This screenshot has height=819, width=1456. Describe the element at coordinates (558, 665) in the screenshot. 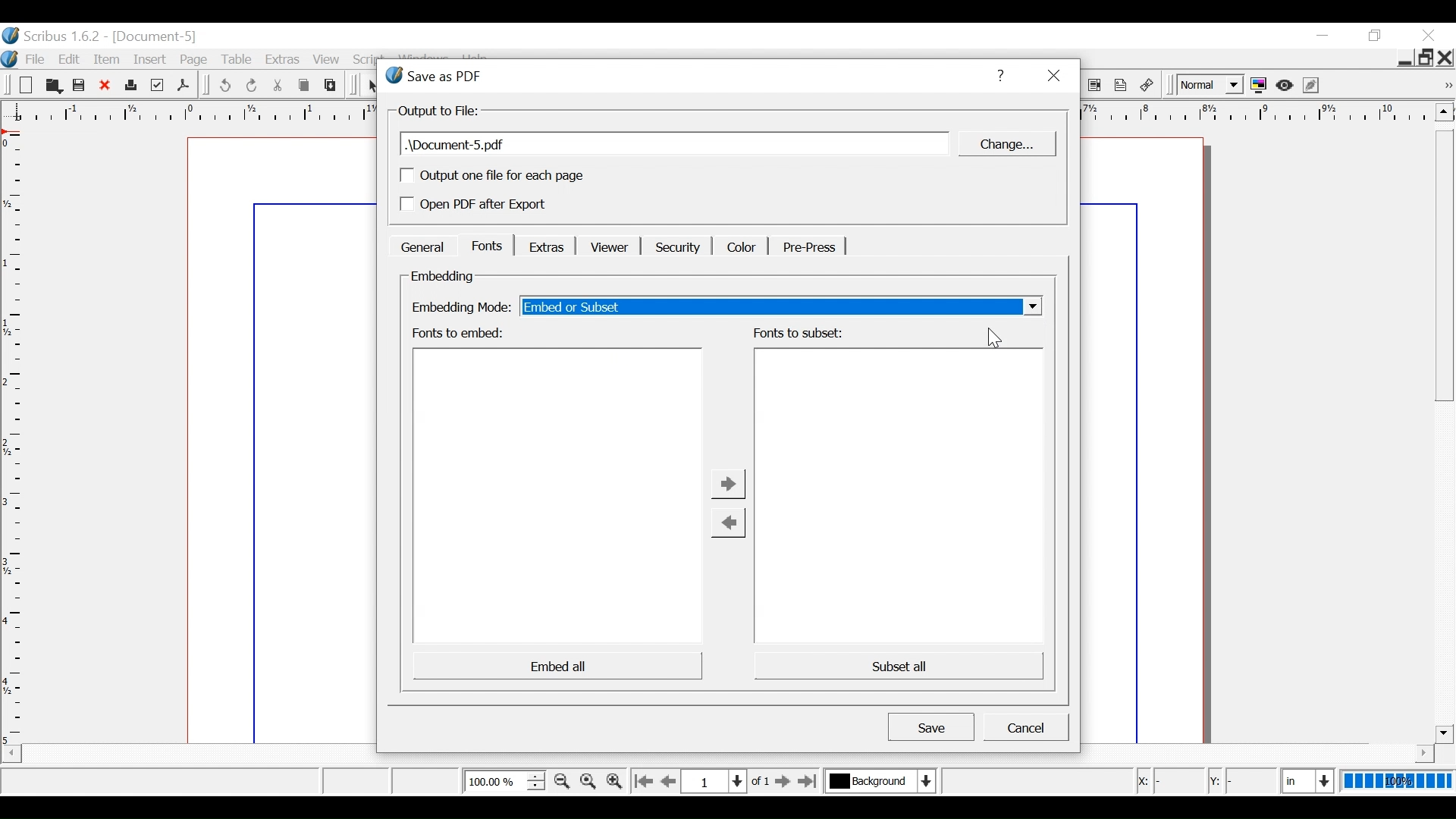

I see `Embed all` at that location.